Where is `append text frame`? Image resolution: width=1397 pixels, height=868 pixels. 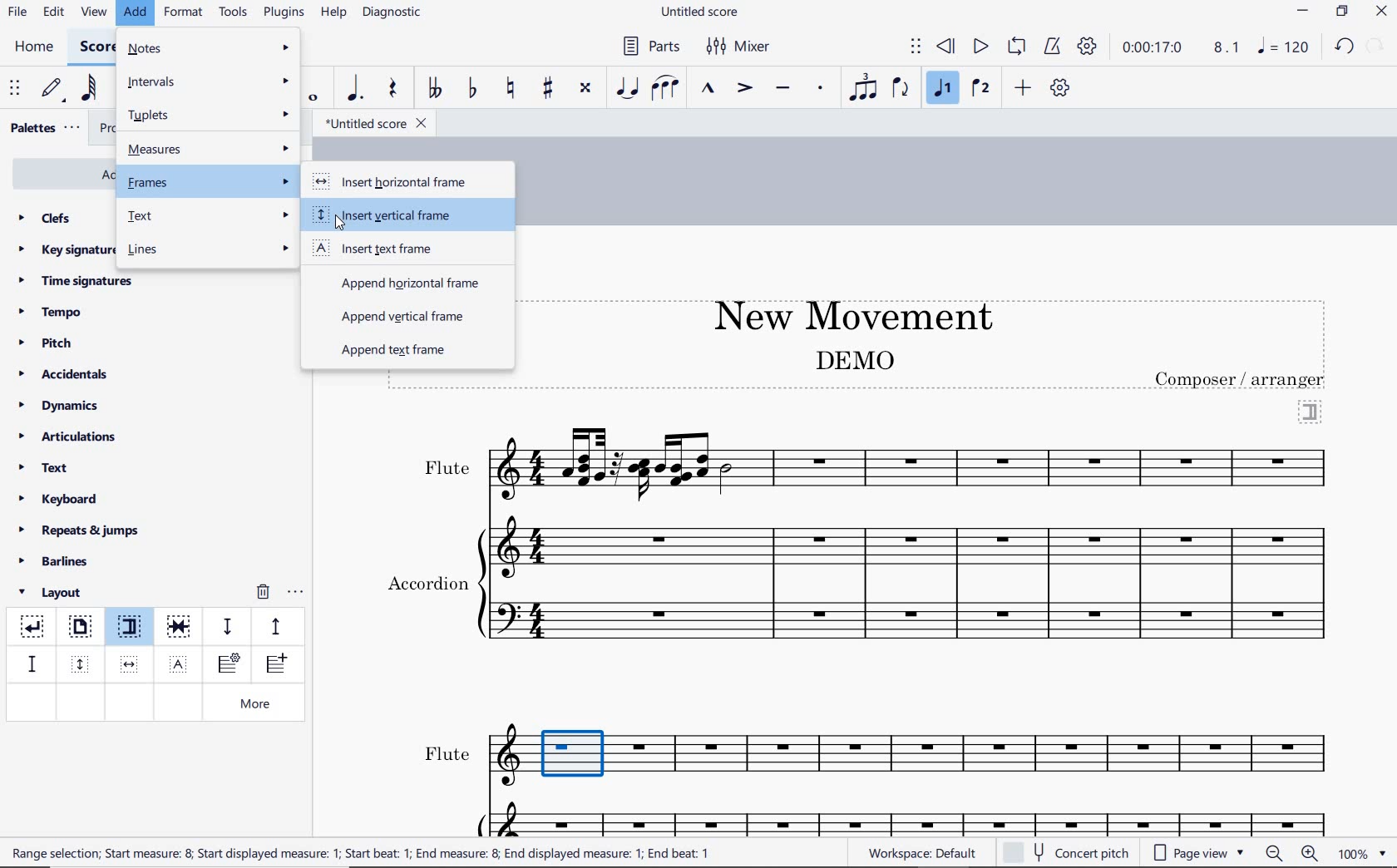
append text frame is located at coordinates (392, 352).